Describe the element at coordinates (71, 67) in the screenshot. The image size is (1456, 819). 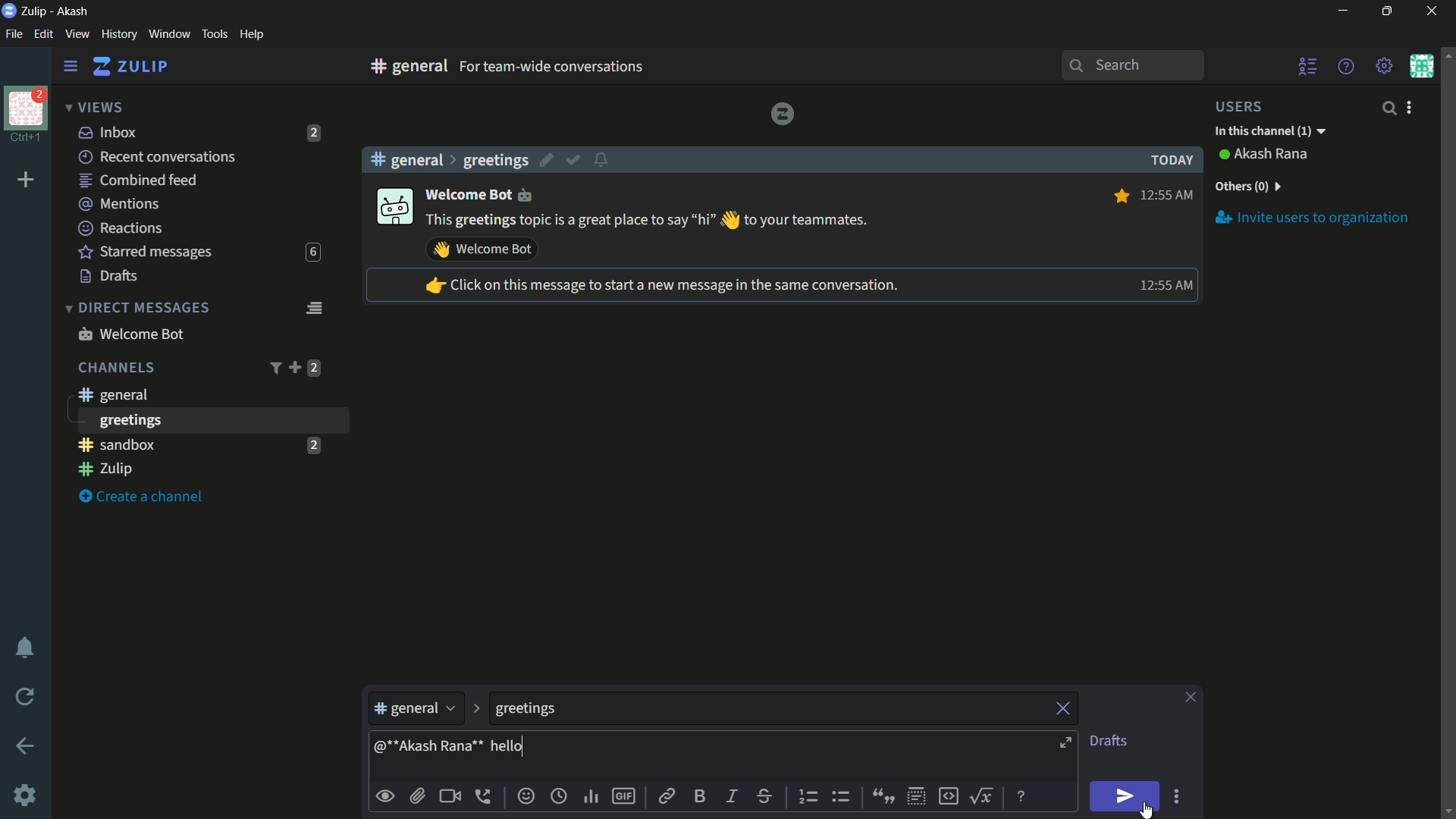
I see `settings` at that location.